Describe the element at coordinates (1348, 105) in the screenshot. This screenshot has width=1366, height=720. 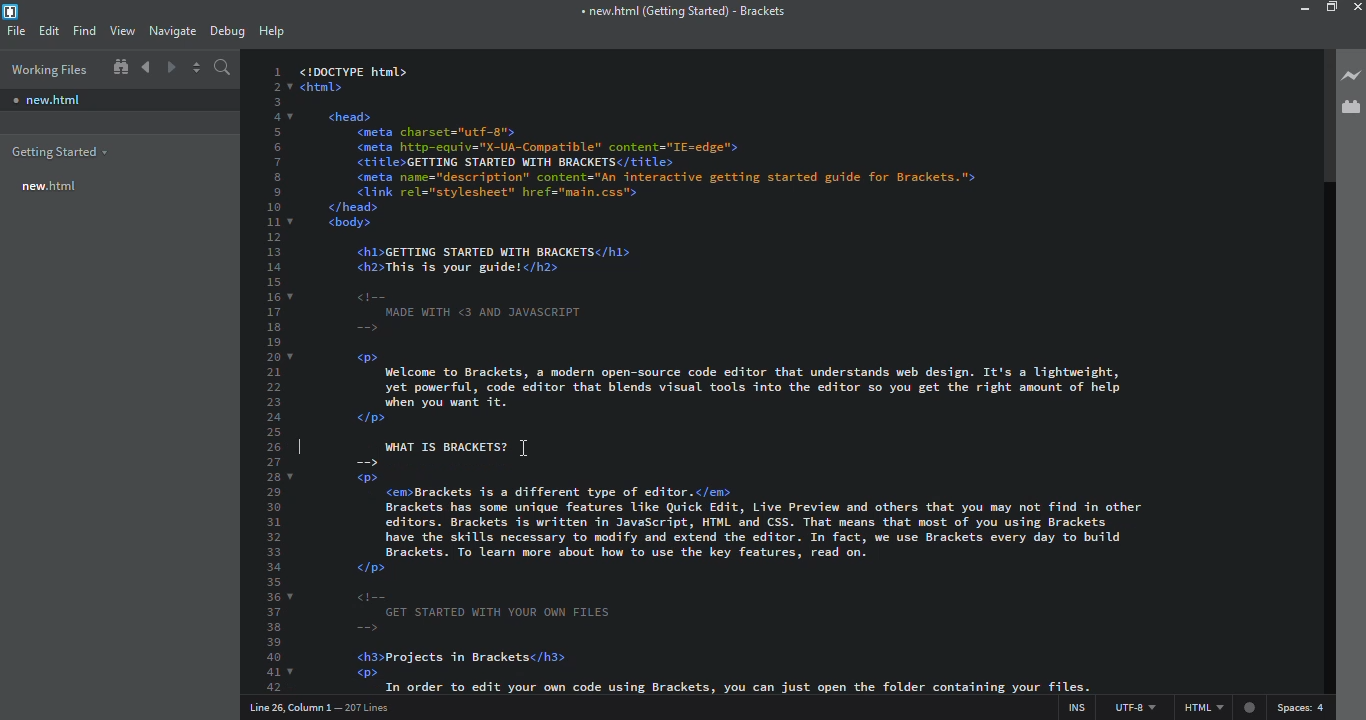
I see `extension manager` at that location.